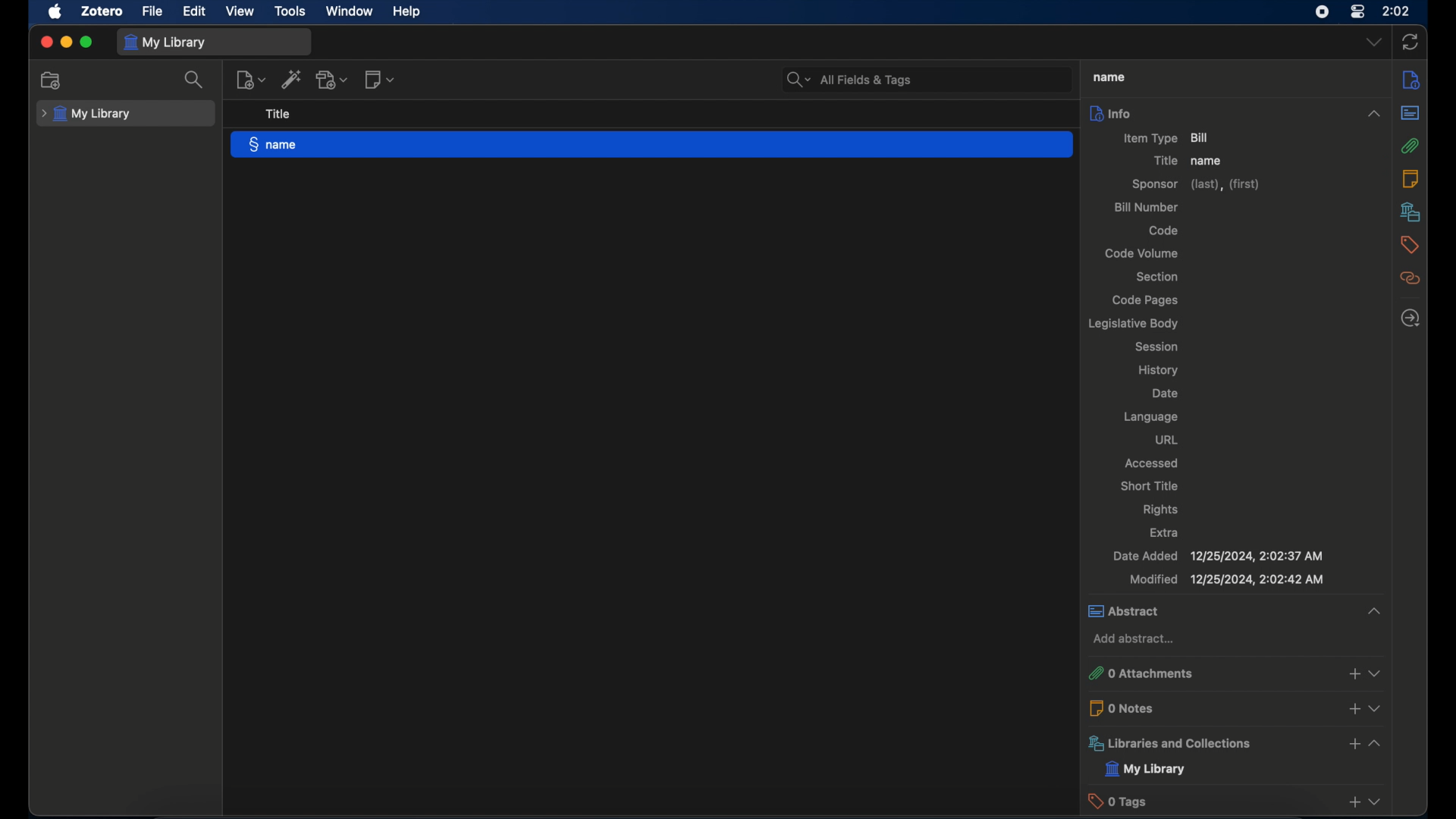  Describe the element at coordinates (1236, 708) in the screenshot. I see `0 notes` at that location.